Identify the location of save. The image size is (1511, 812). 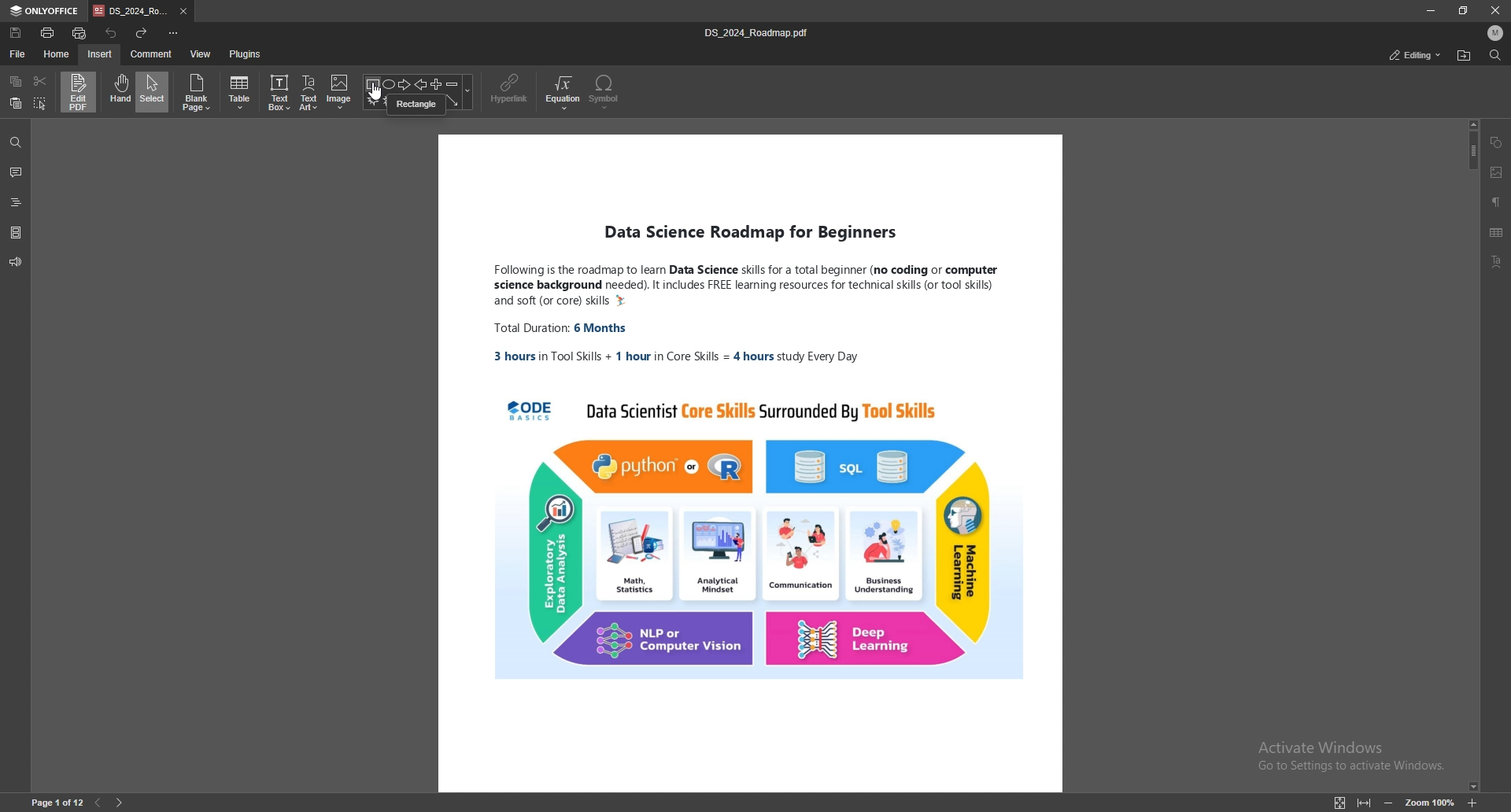
(17, 33).